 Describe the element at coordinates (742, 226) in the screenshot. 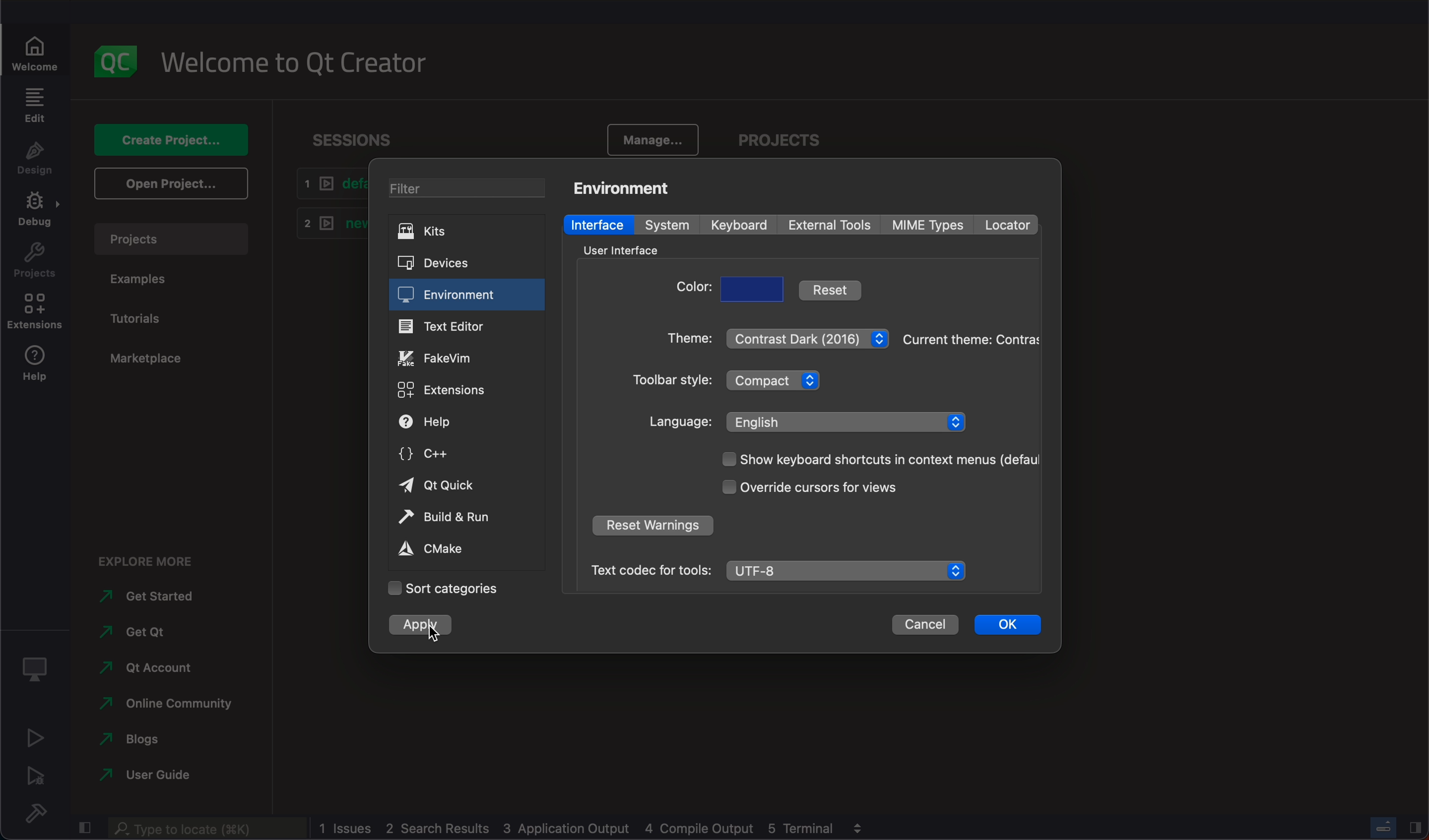

I see `keyboard` at that location.